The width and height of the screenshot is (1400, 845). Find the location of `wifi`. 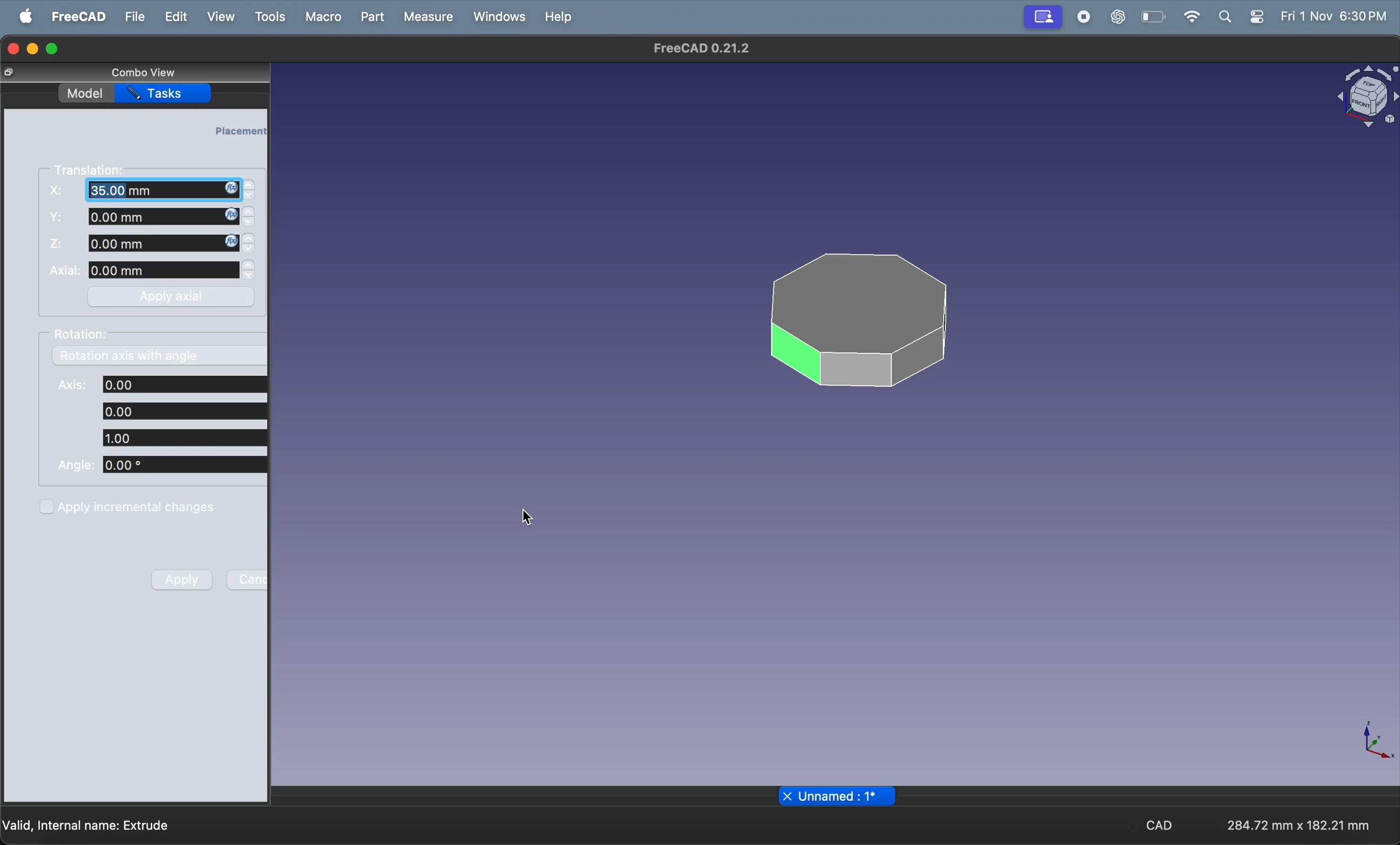

wifi is located at coordinates (1189, 16).